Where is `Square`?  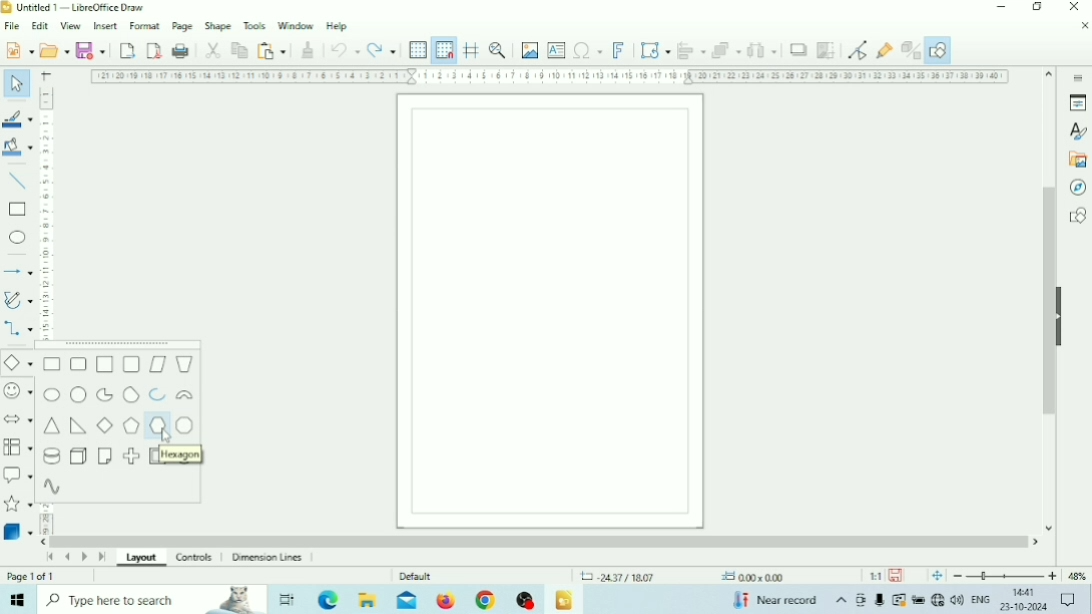 Square is located at coordinates (105, 364).